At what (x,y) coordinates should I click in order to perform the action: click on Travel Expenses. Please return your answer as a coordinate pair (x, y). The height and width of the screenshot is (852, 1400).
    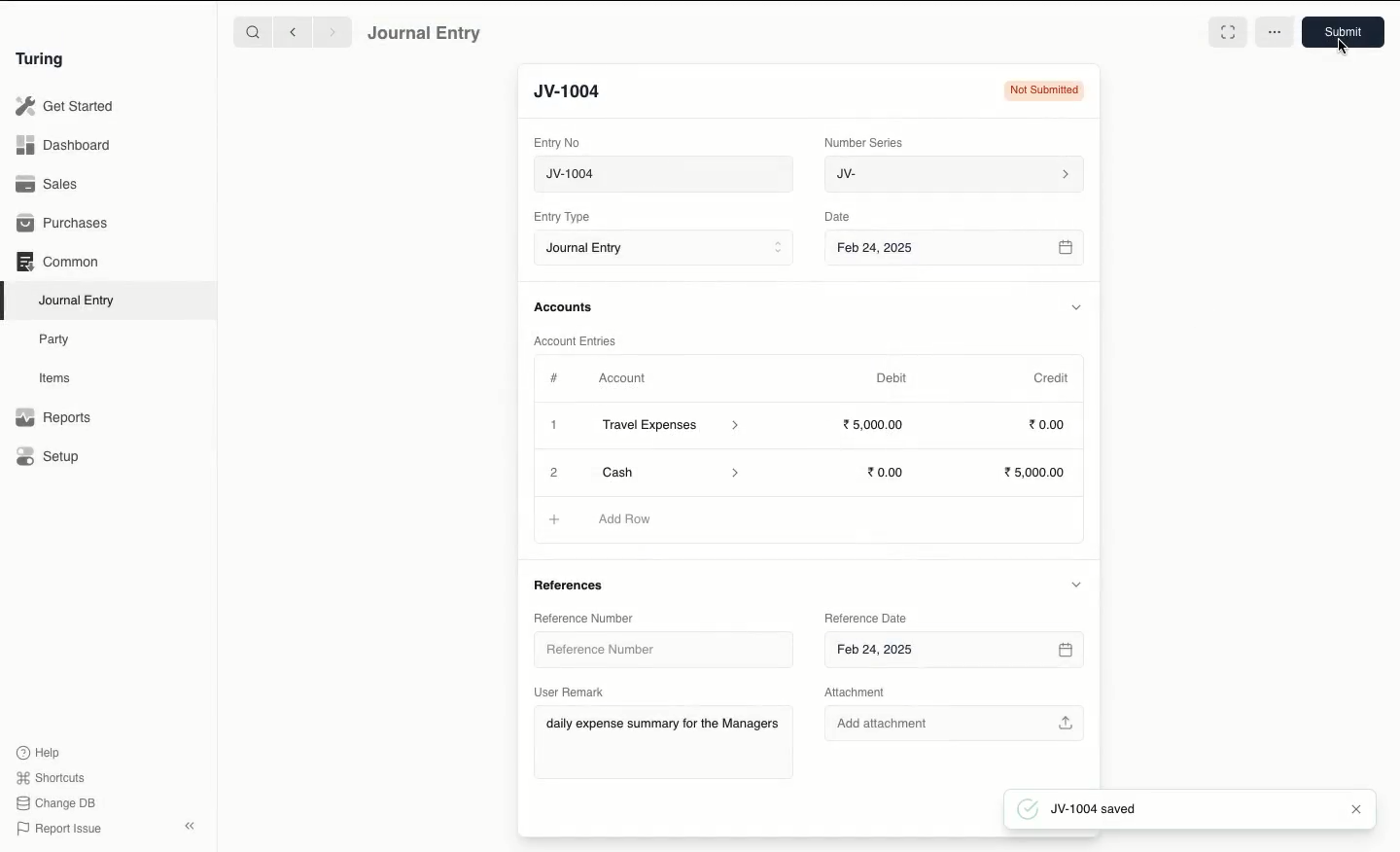
    Looking at the image, I should click on (673, 427).